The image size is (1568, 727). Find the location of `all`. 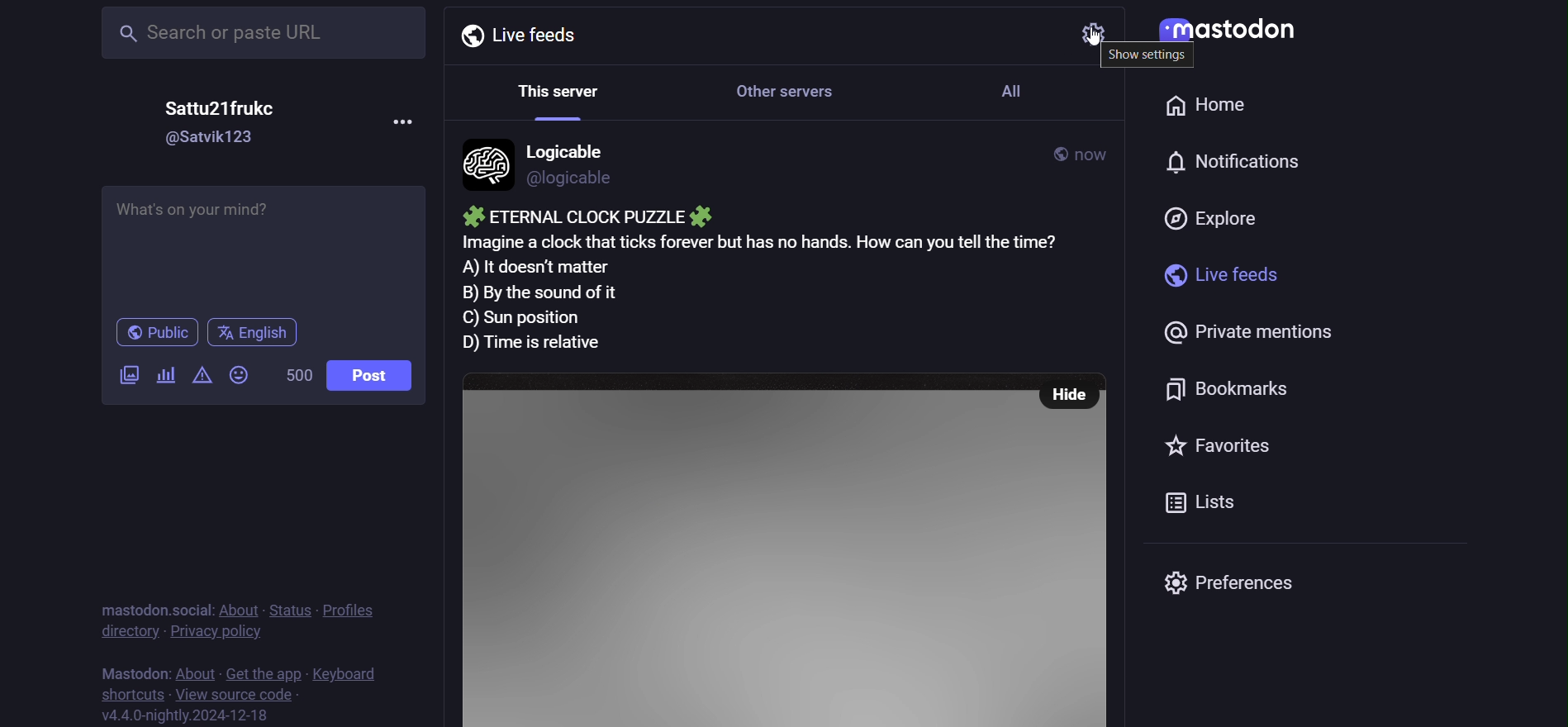

all is located at coordinates (1016, 90).